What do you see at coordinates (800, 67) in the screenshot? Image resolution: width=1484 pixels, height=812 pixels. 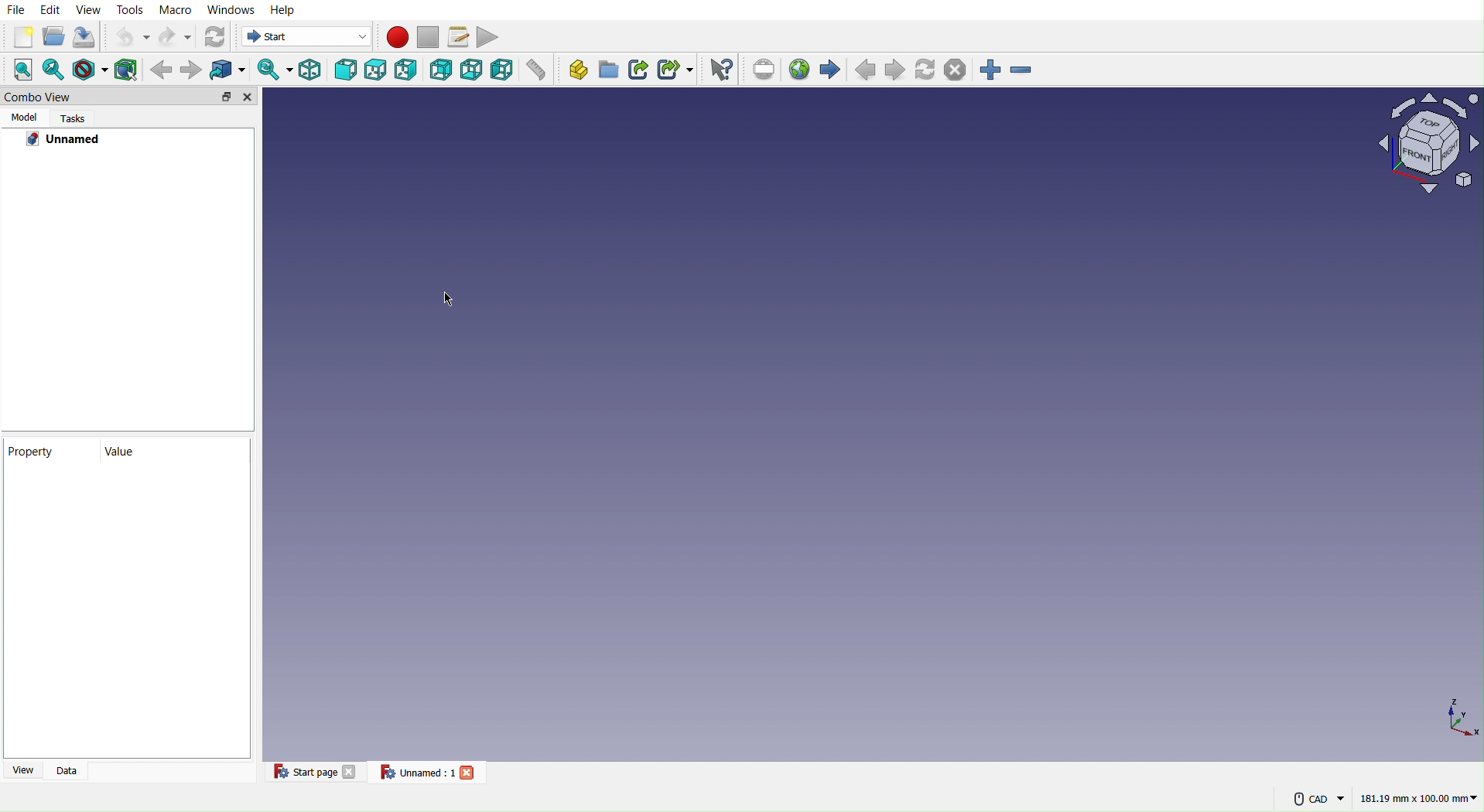 I see `Opens a website in FreeCAD` at bounding box center [800, 67].